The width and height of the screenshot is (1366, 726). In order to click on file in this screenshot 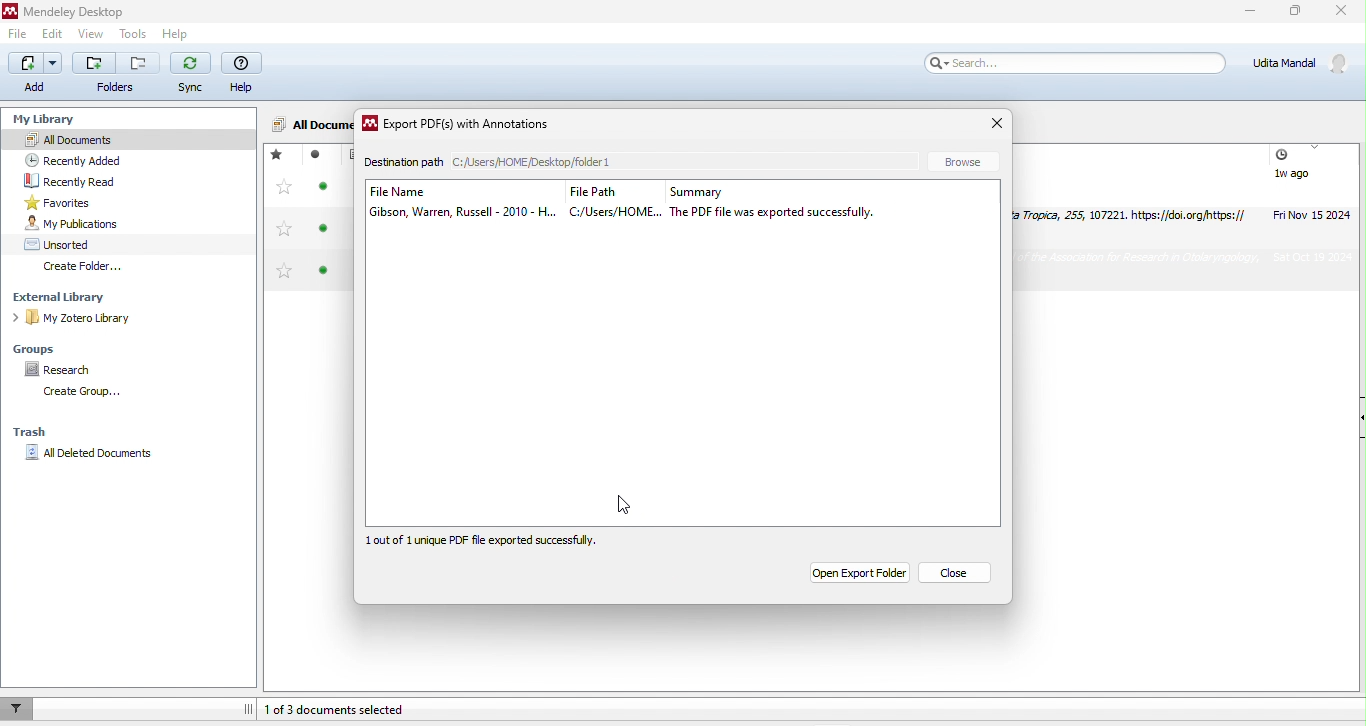, I will do `click(19, 32)`.